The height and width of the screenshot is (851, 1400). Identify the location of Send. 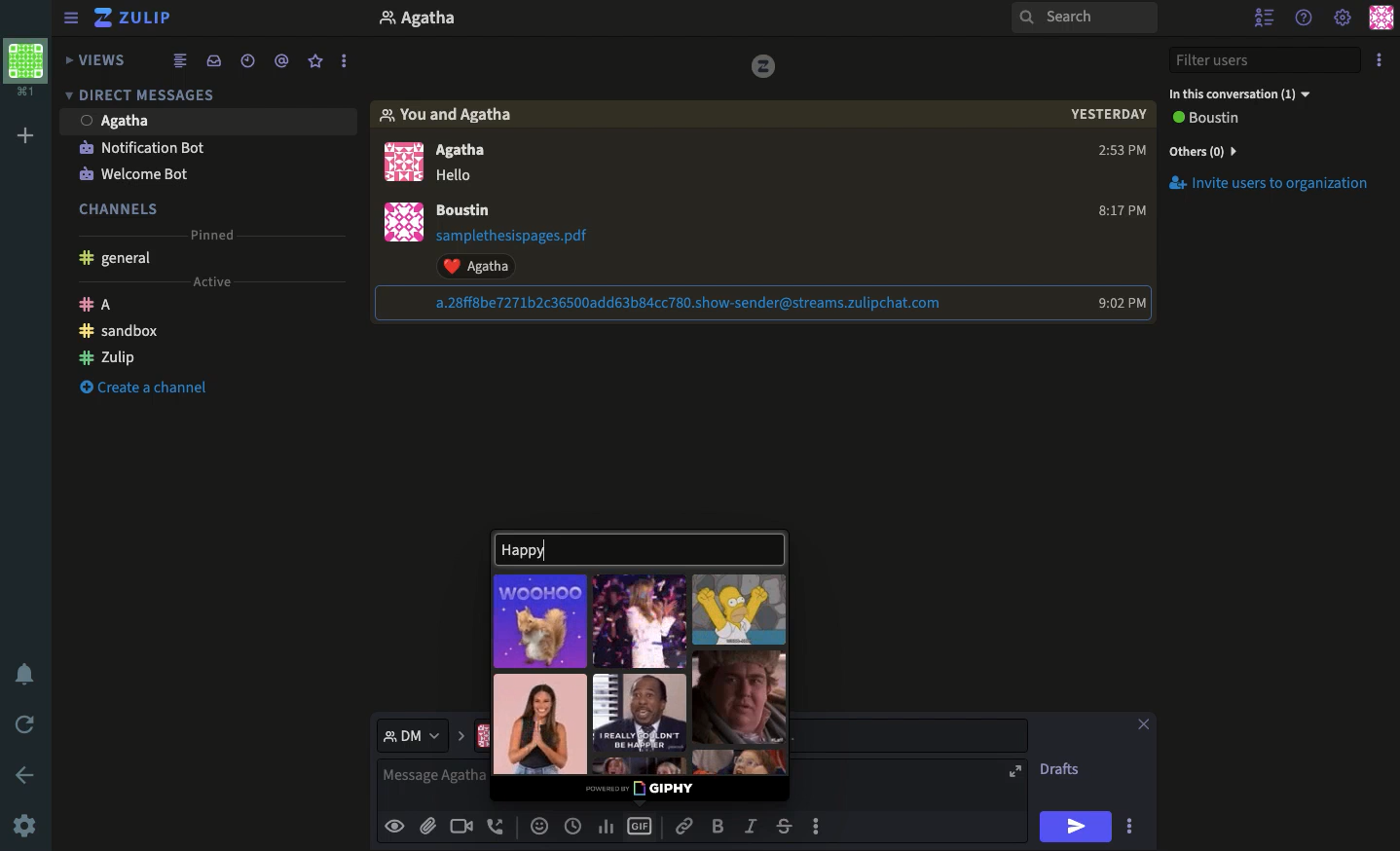
(1076, 826).